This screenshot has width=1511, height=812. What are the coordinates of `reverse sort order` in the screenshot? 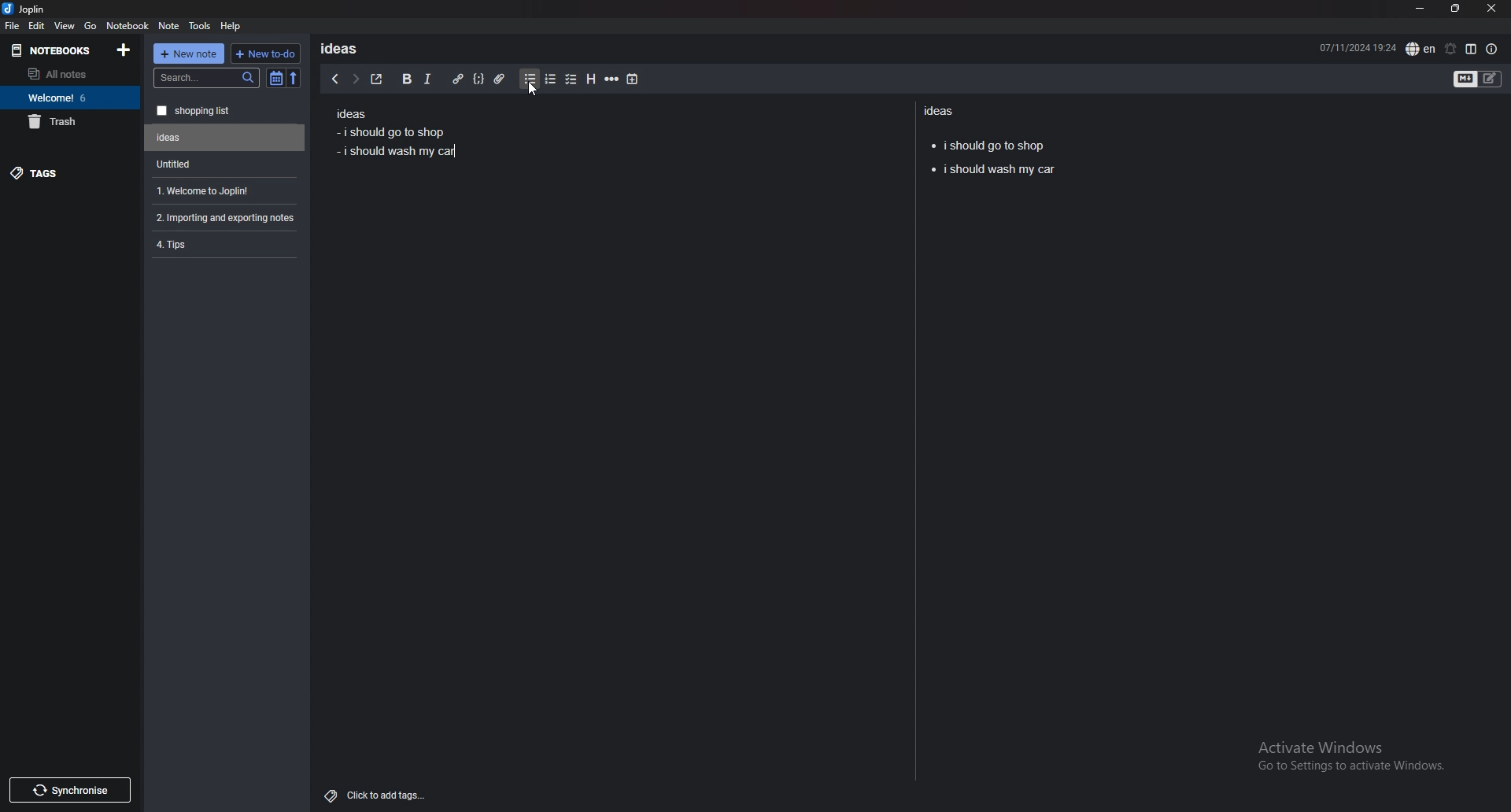 It's located at (294, 79).